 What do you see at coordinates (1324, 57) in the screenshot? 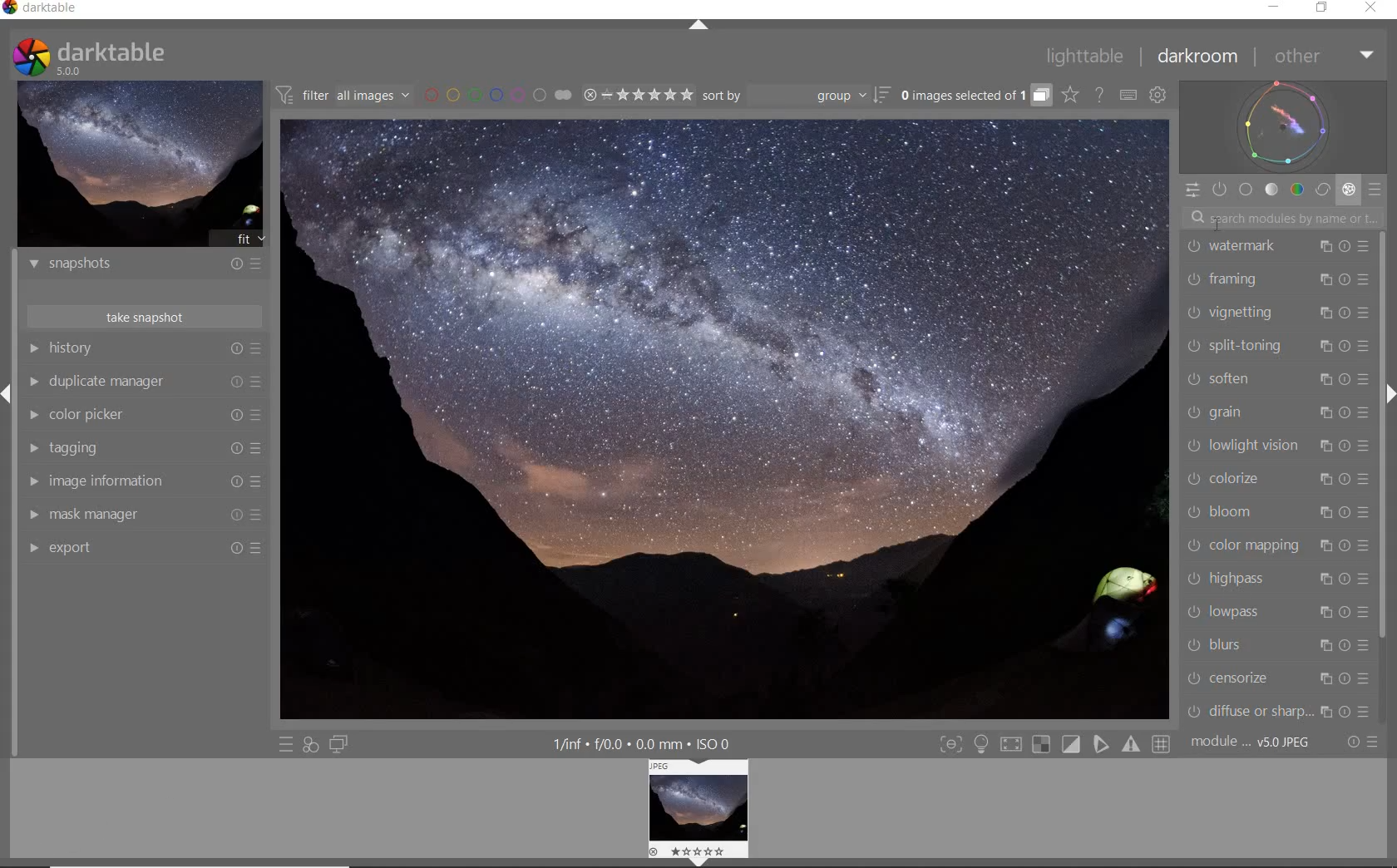
I see `OTHER` at bounding box center [1324, 57].